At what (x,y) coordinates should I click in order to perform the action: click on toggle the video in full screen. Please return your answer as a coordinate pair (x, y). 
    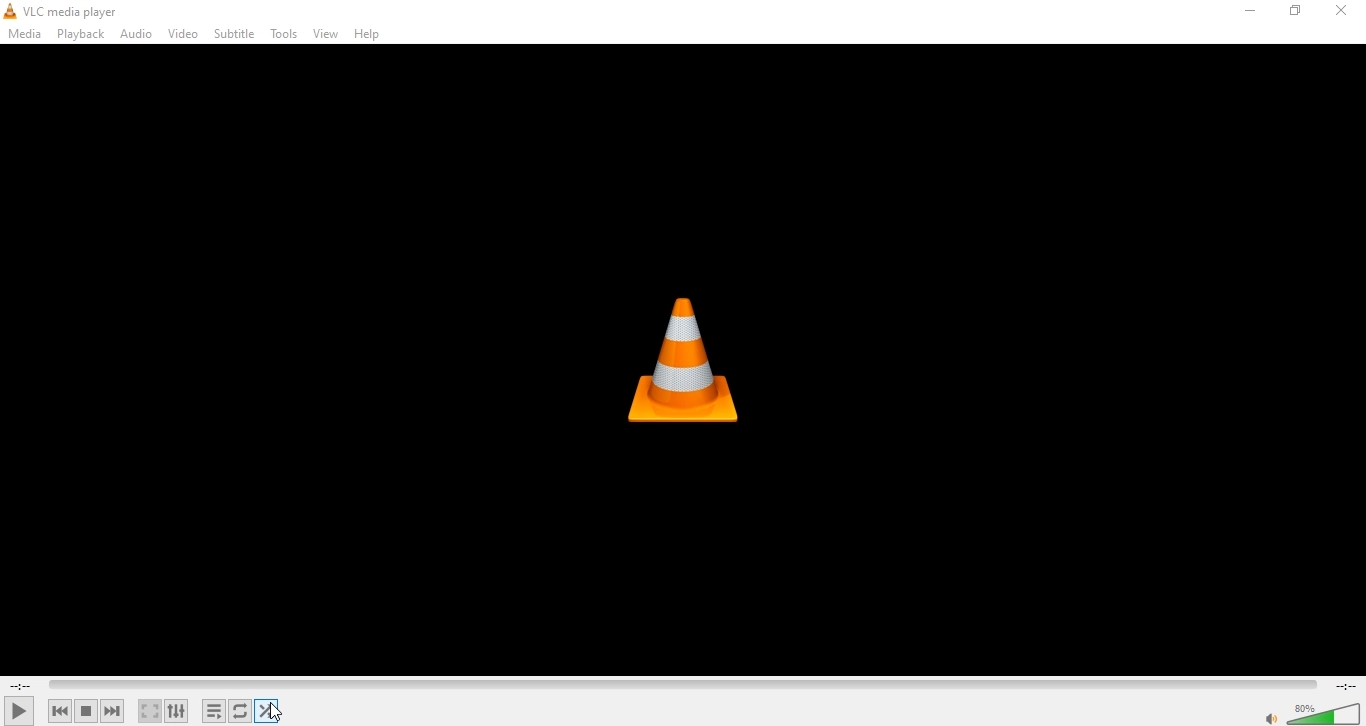
    Looking at the image, I should click on (150, 711).